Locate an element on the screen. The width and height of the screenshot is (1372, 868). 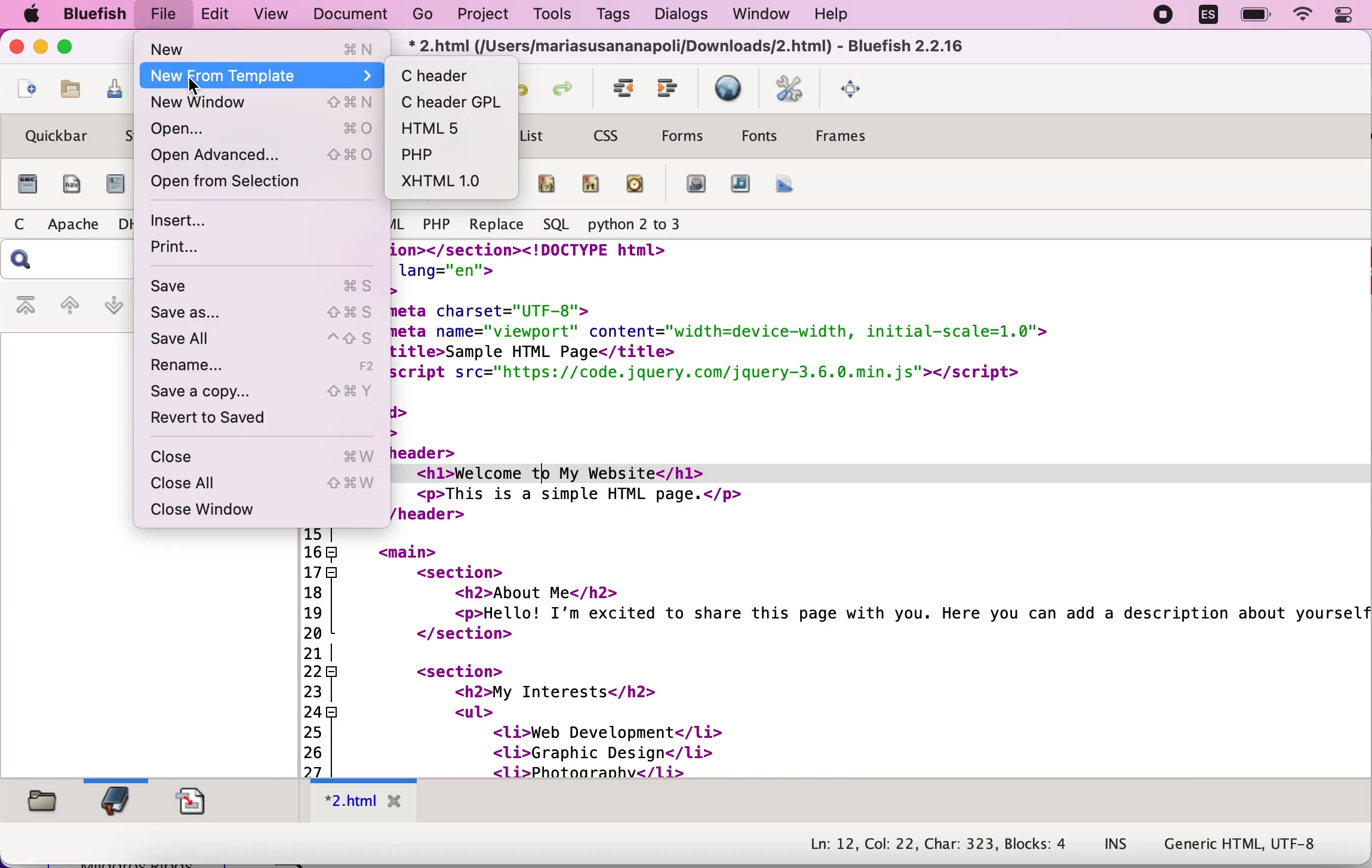
close window is located at coordinates (258, 509).